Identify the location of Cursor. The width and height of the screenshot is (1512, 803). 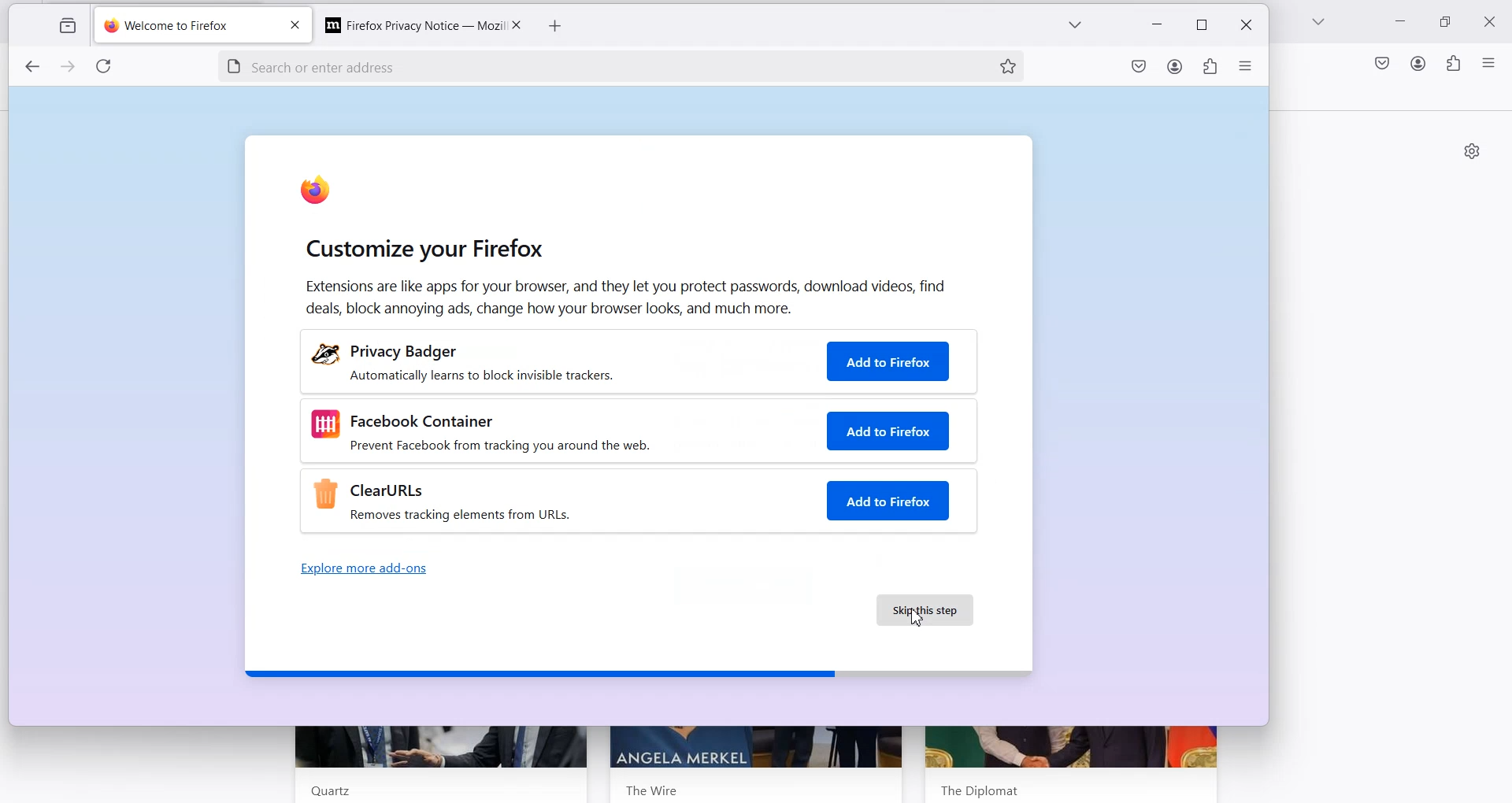
(917, 615).